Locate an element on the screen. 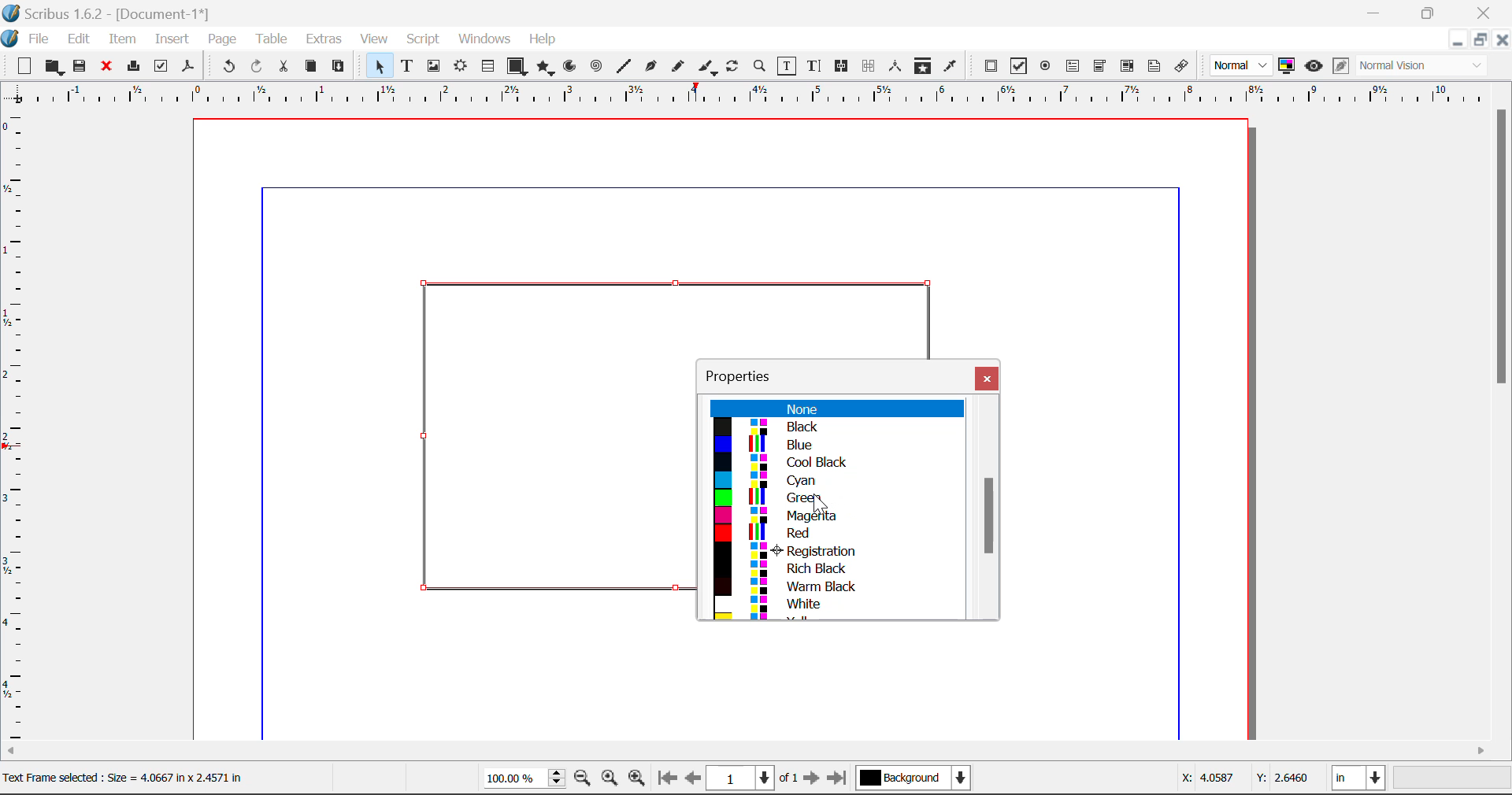  Scroll Bar is located at coordinates (1503, 420).